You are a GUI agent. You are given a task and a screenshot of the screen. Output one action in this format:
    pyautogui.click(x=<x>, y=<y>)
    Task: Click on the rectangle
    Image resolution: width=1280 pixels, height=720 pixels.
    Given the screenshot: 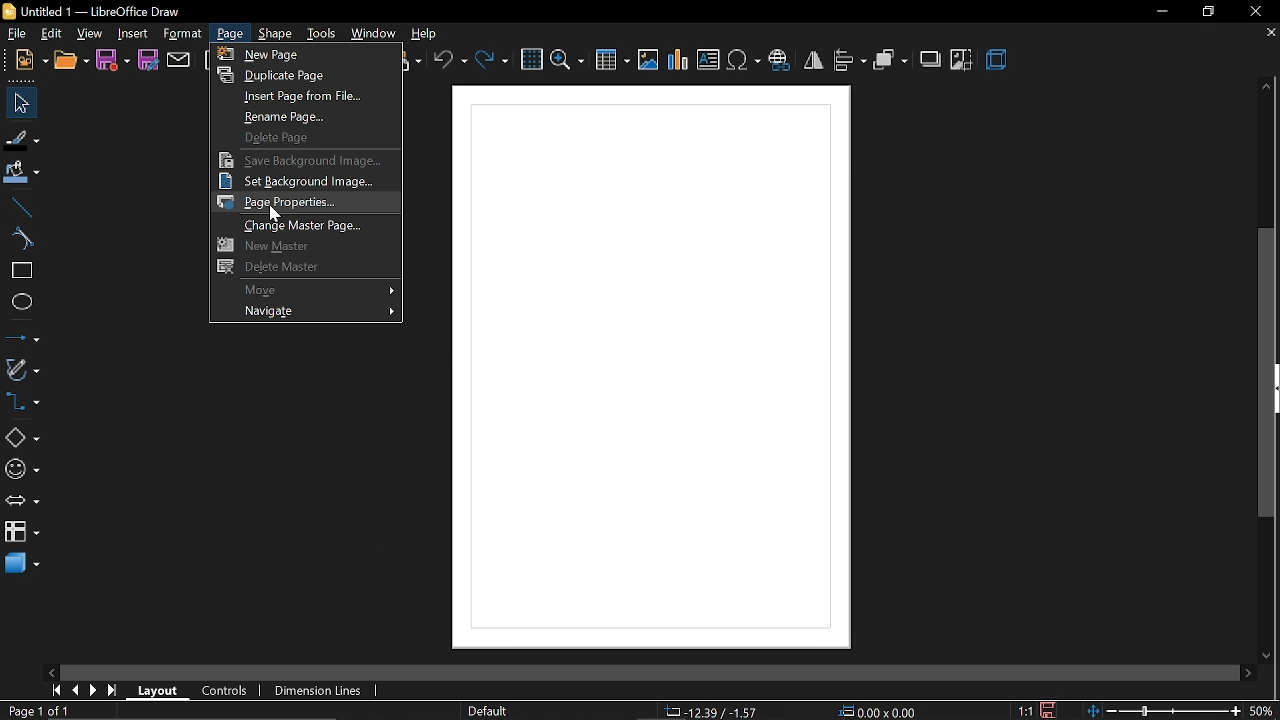 What is the action you would take?
    pyautogui.click(x=22, y=273)
    